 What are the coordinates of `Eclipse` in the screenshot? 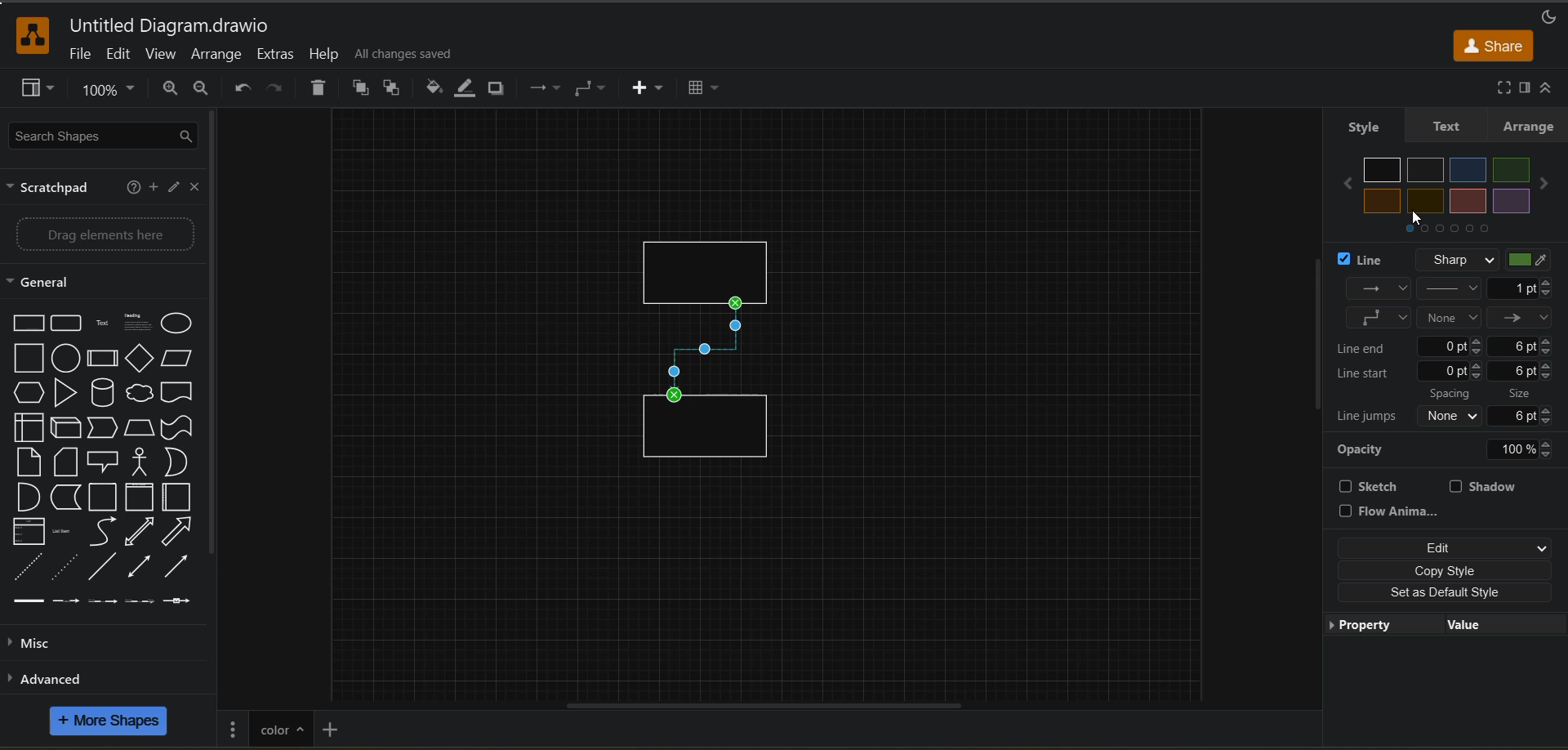 It's located at (180, 325).